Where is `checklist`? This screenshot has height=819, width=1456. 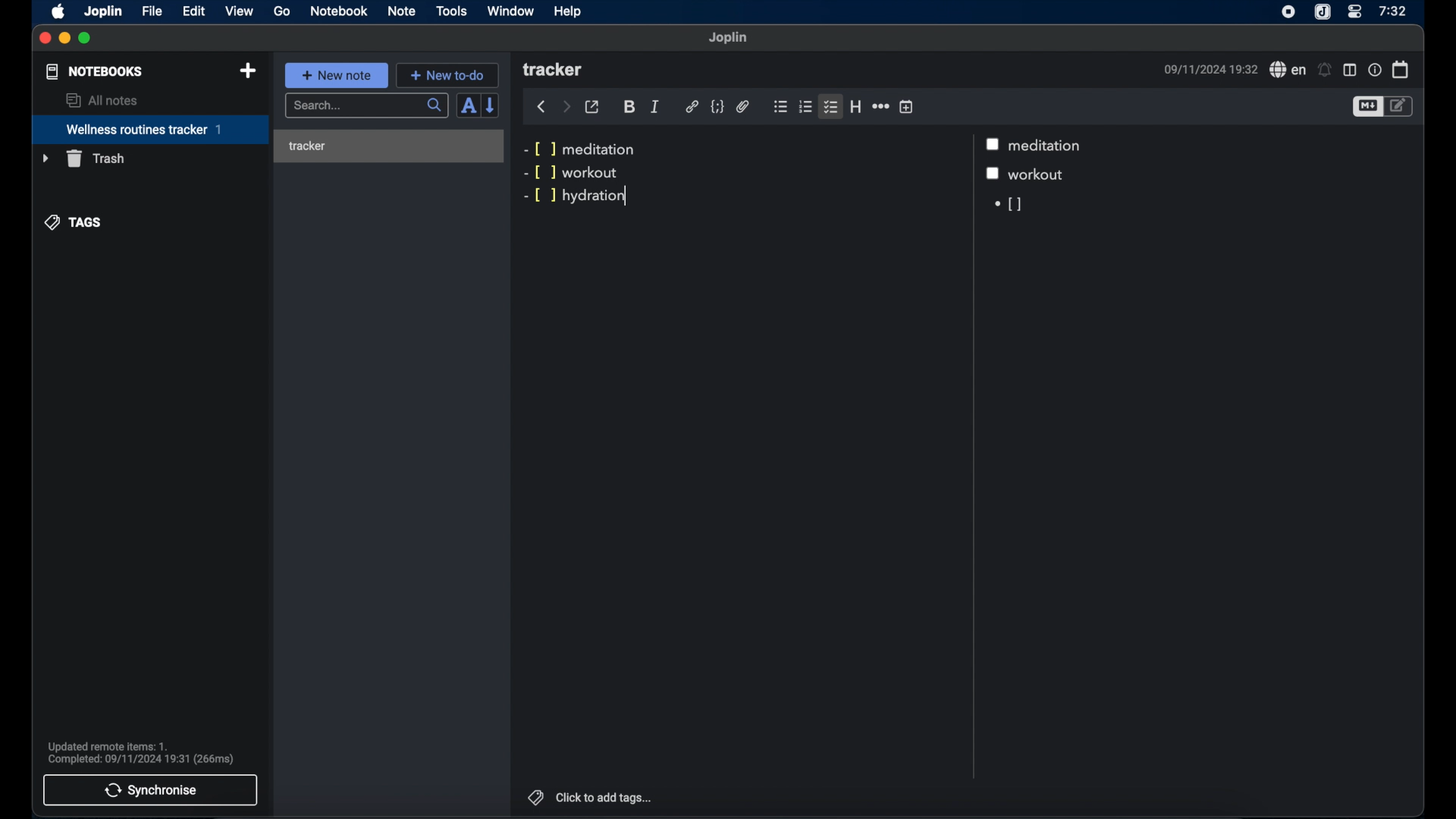 checklist is located at coordinates (832, 106).